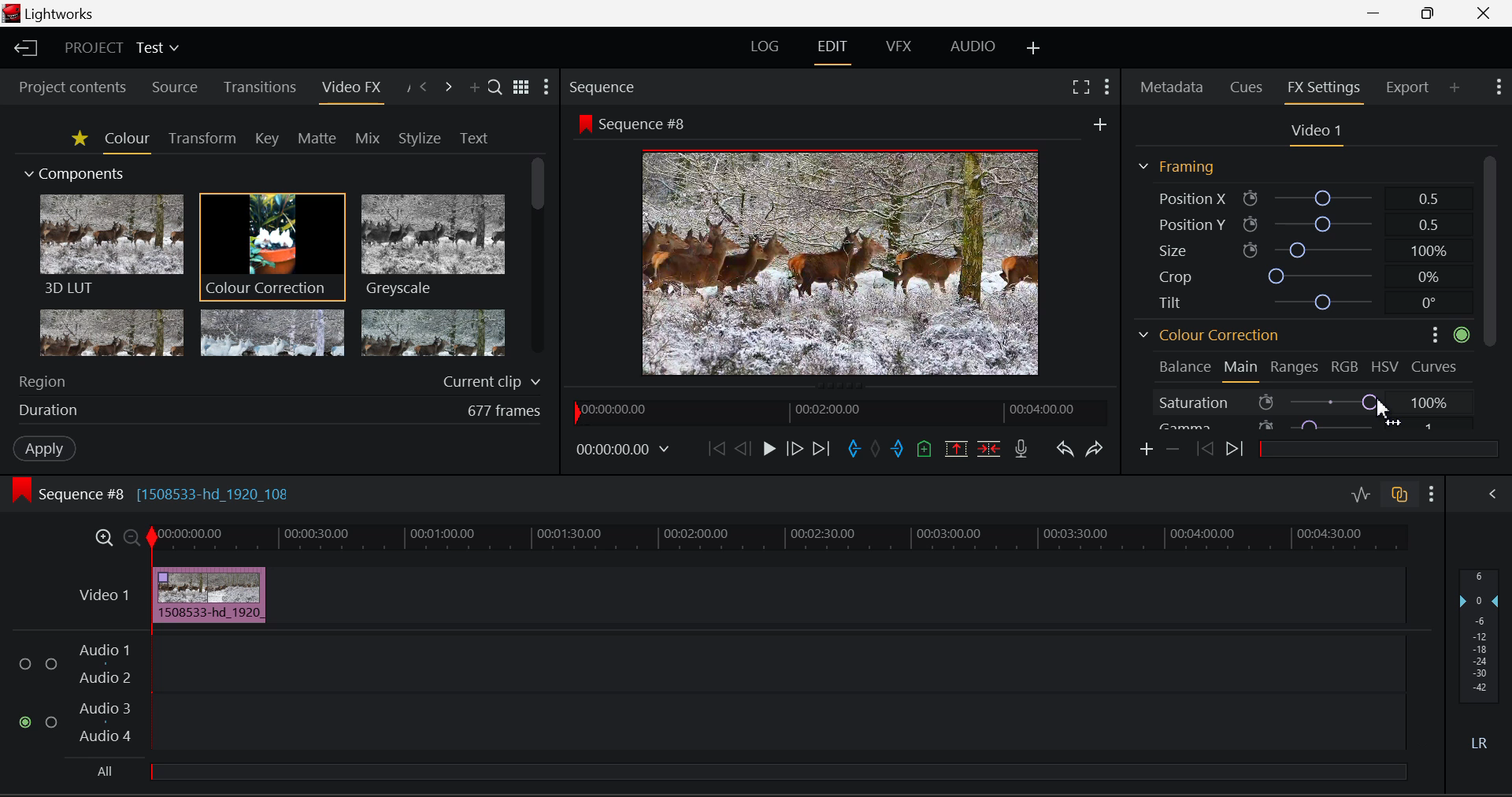 The width and height of the screenshot is (1512, 797). I want to click on Apply, so click(46, 448).